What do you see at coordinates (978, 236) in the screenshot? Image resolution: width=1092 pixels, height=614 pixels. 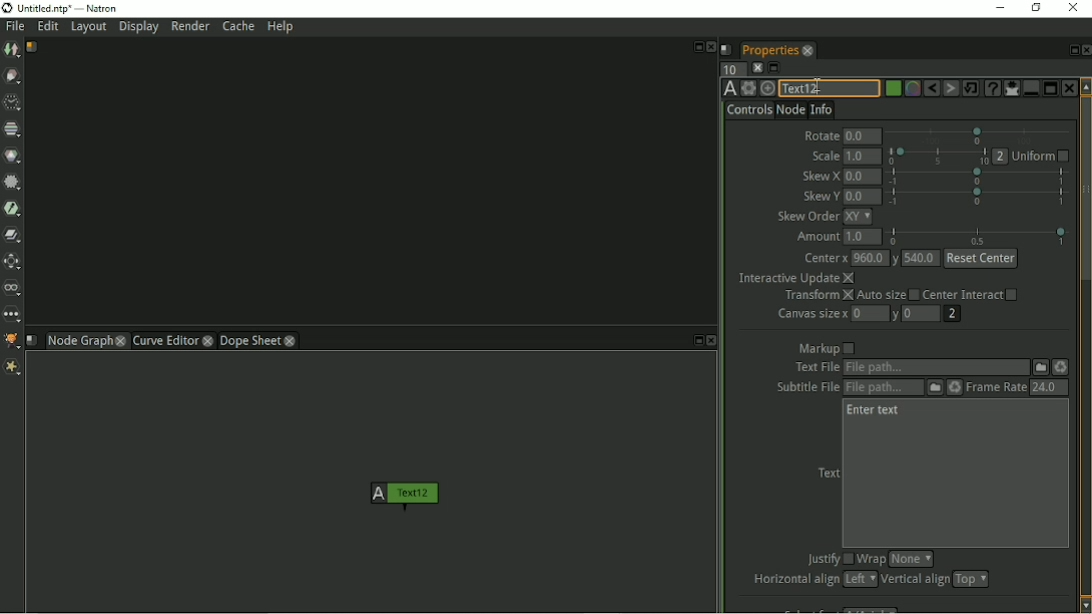 I see `selection bar` at bounding box center [978, 236].